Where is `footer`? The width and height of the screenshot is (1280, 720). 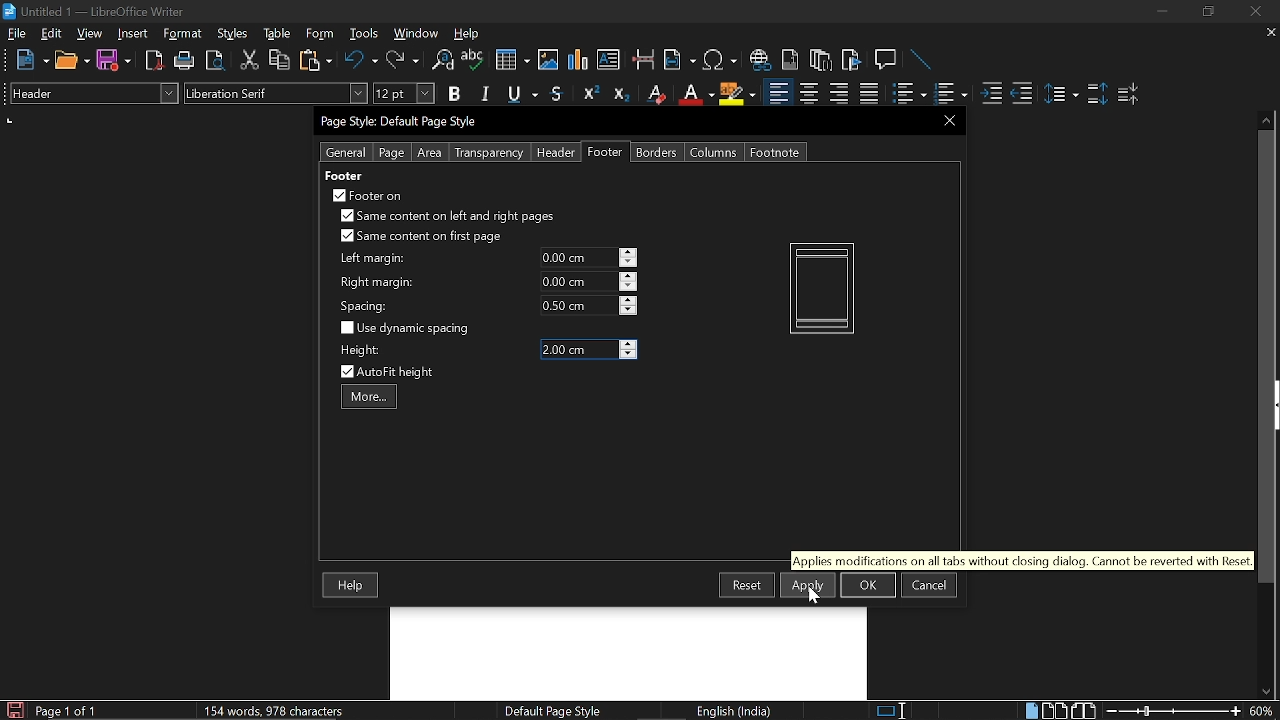 footer is located at coordinates (343, 175).